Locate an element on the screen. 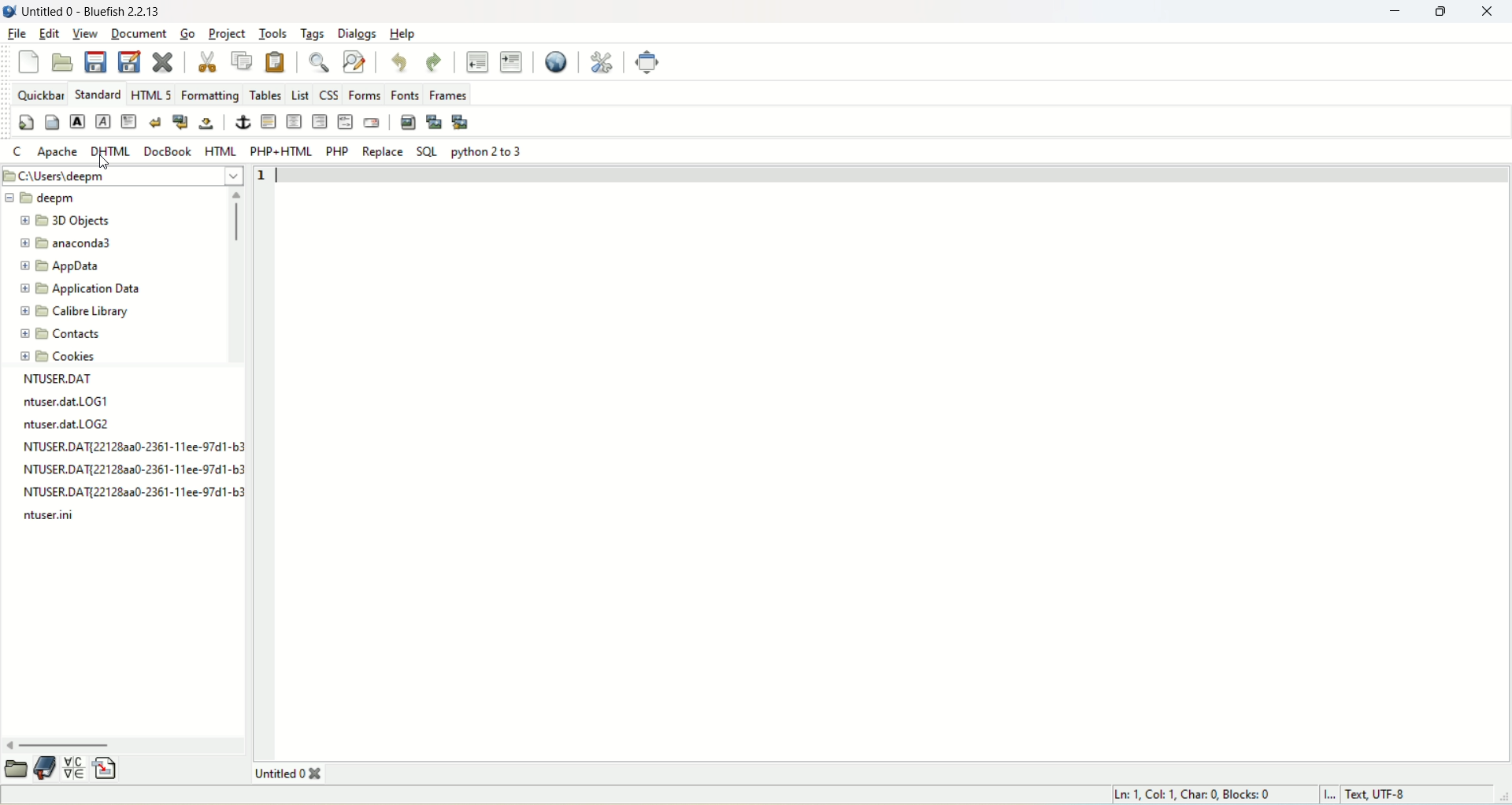 This screenshot has width=1512, height=805. center is located at coordinates (294, 121).